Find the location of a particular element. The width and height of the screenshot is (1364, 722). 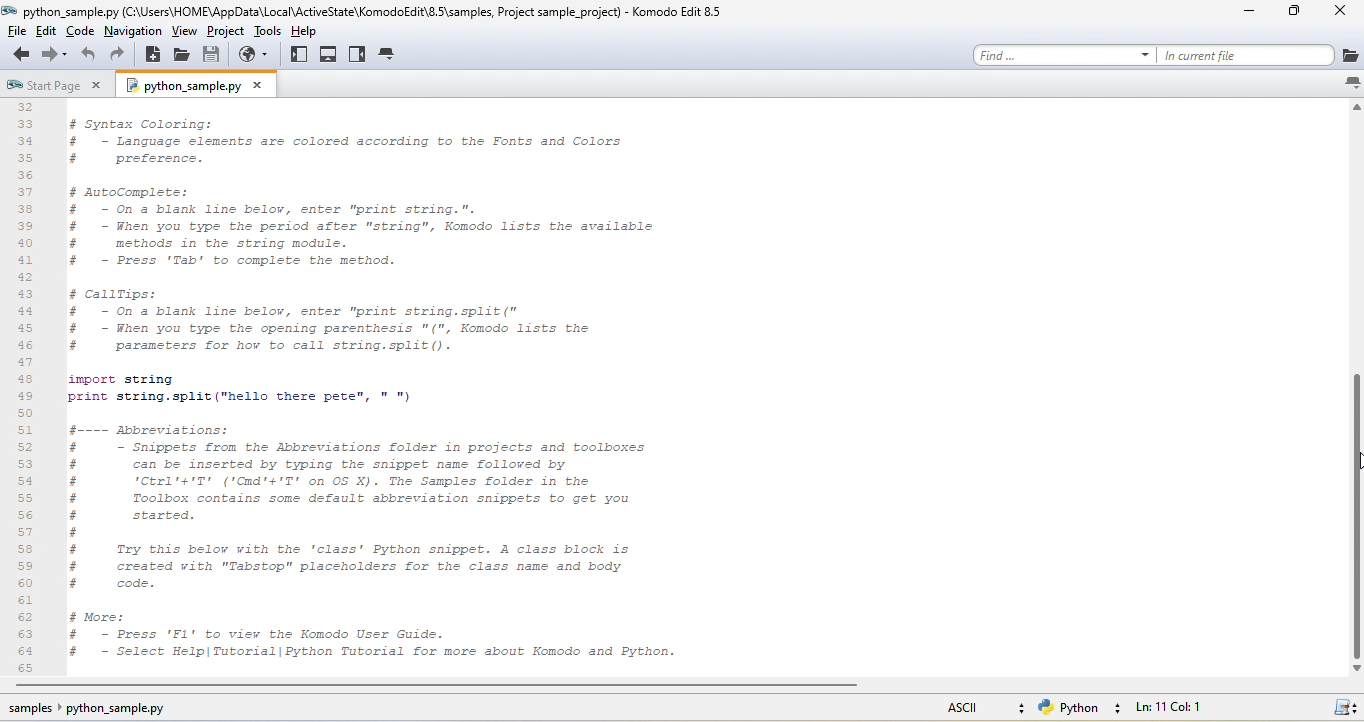

right pane is located at coordinates (359, 54).